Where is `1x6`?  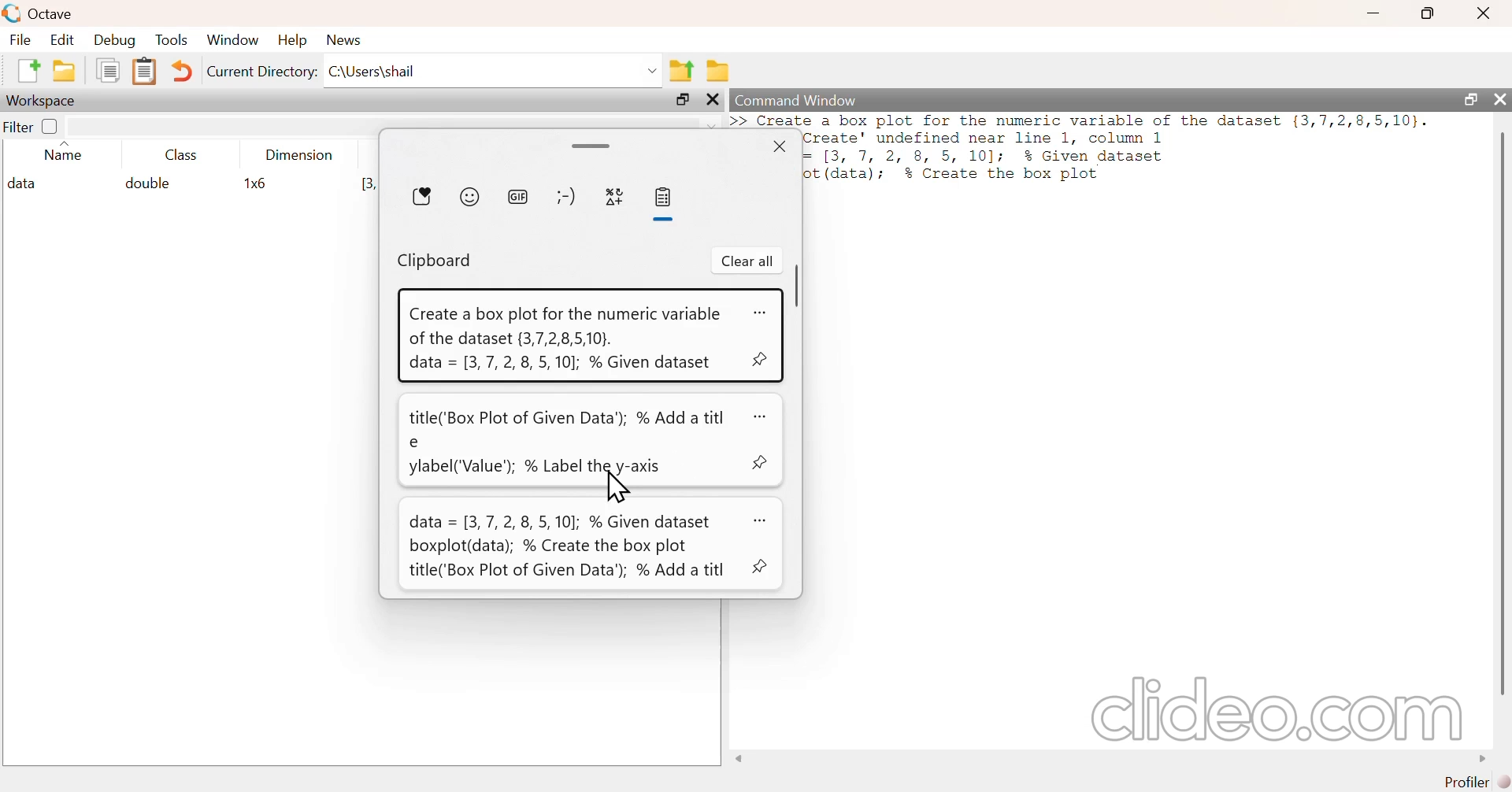
1x6 is located at coordinates (259, 183).